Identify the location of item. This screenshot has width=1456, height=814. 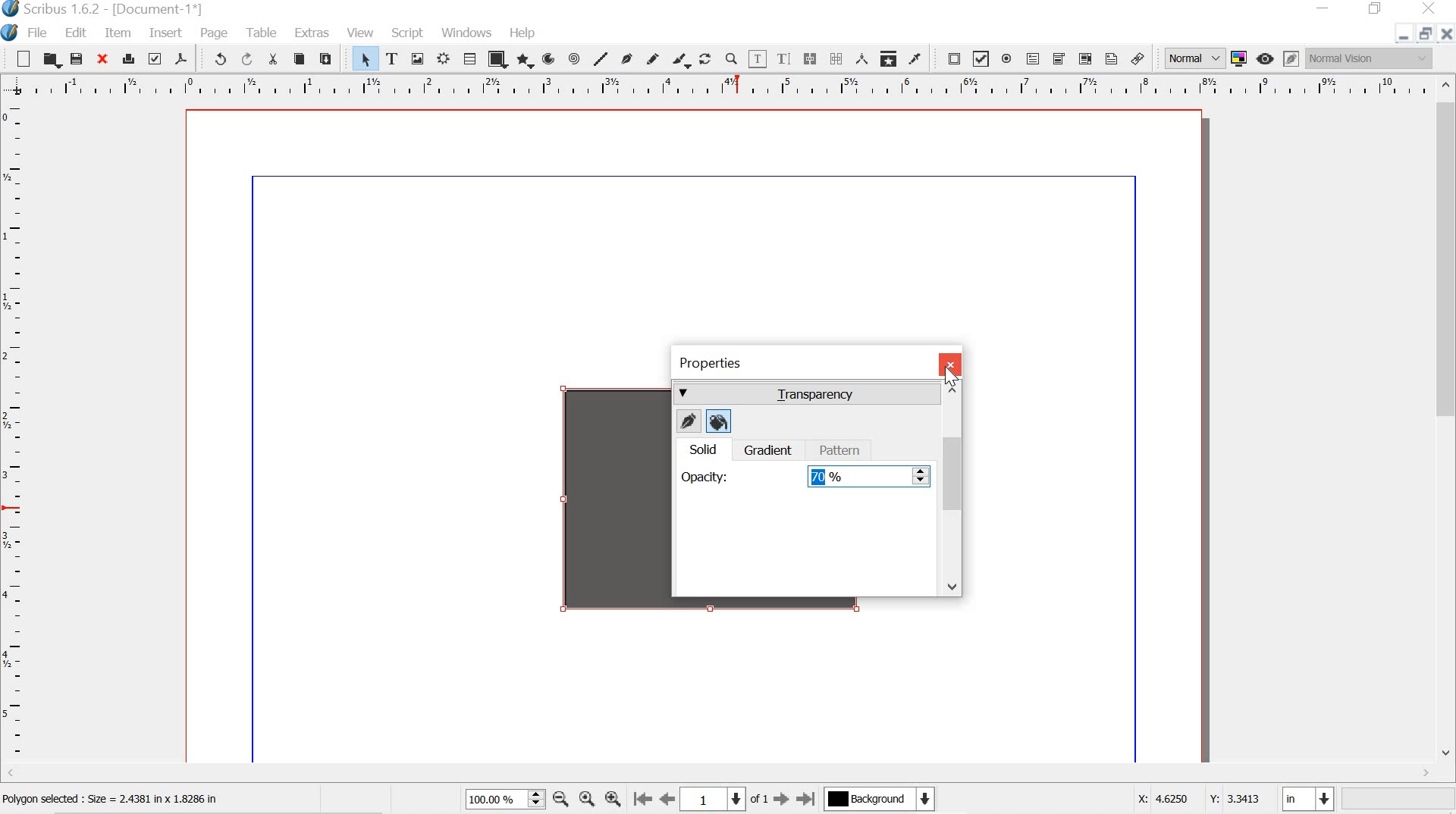
(118, 33).